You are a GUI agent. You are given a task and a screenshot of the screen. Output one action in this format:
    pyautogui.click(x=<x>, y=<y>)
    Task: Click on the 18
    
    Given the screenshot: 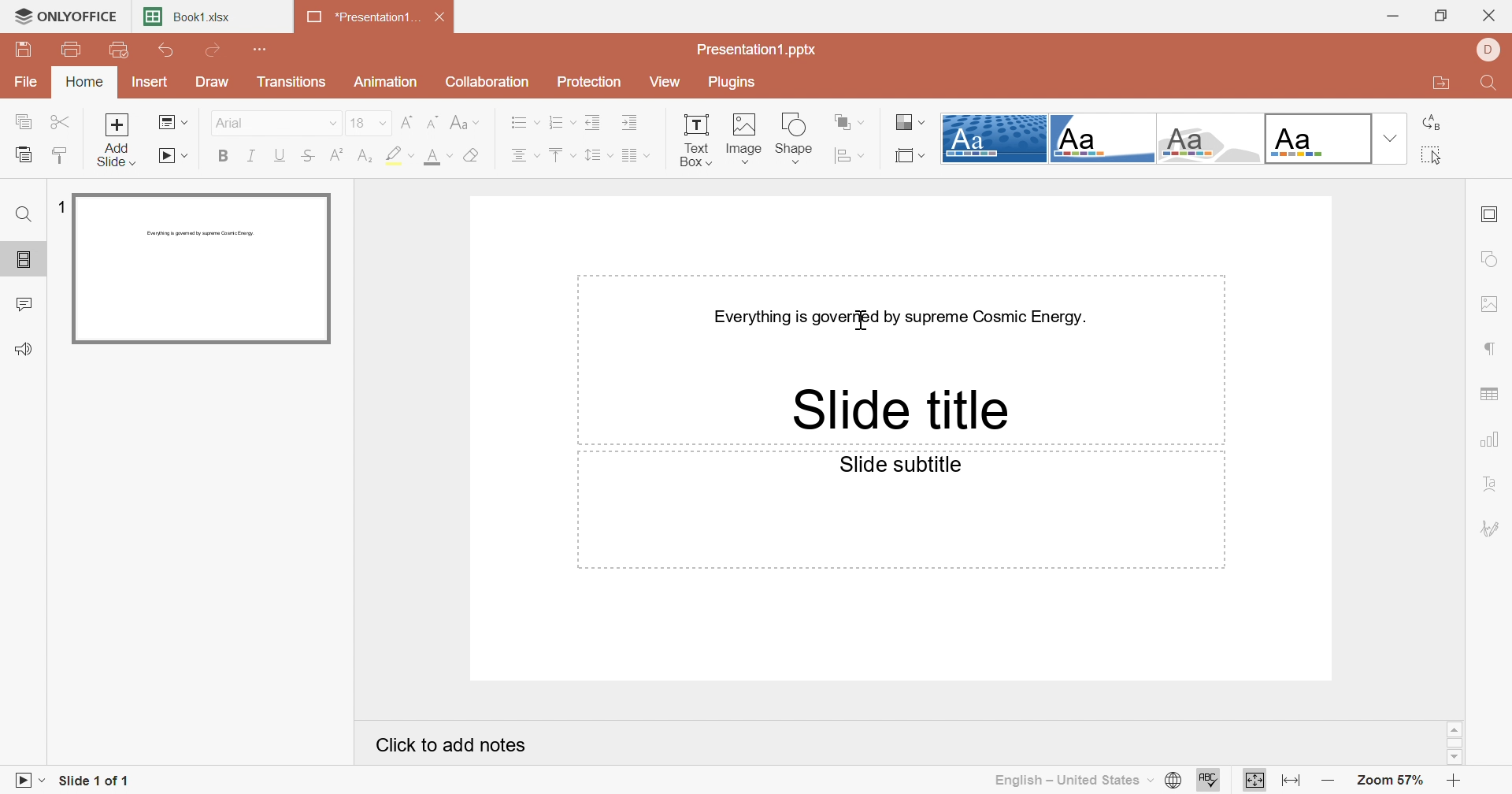 What is the action you would take?
    pyautogui.click(x=369, y=124)
    